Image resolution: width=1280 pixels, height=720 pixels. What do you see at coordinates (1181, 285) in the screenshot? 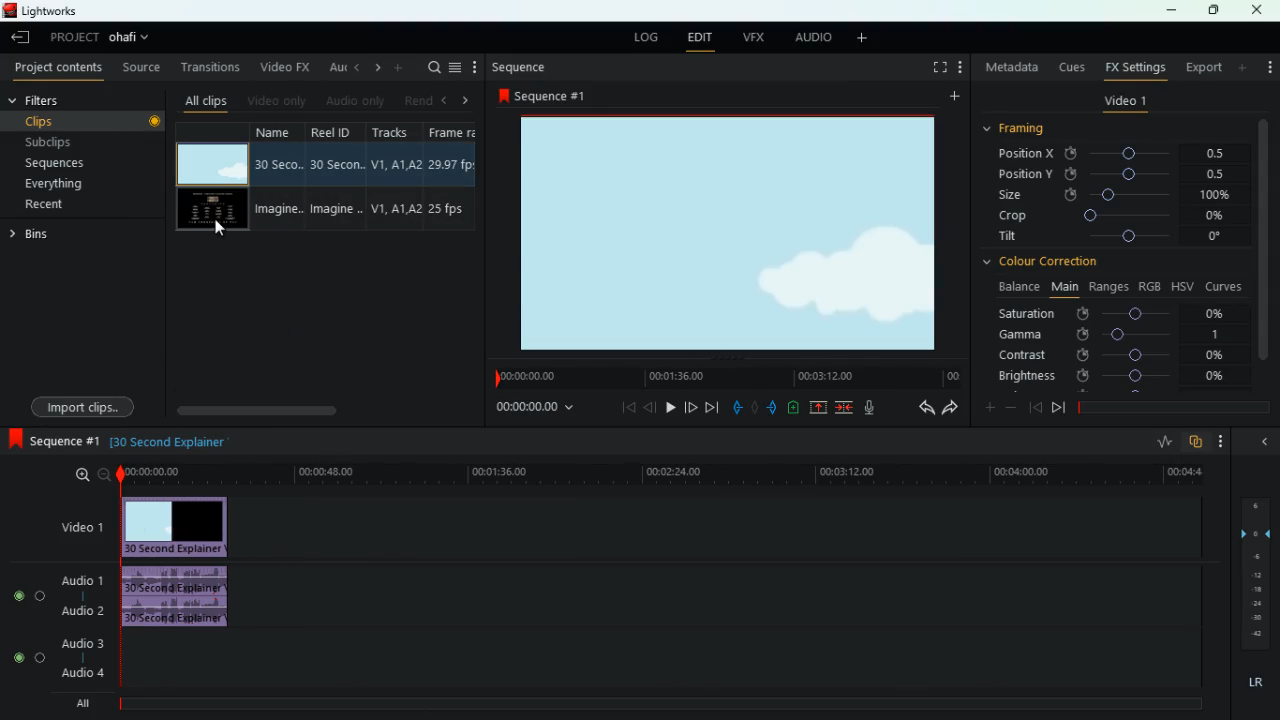
I see `hsv` at bounding box center [1181, 285].